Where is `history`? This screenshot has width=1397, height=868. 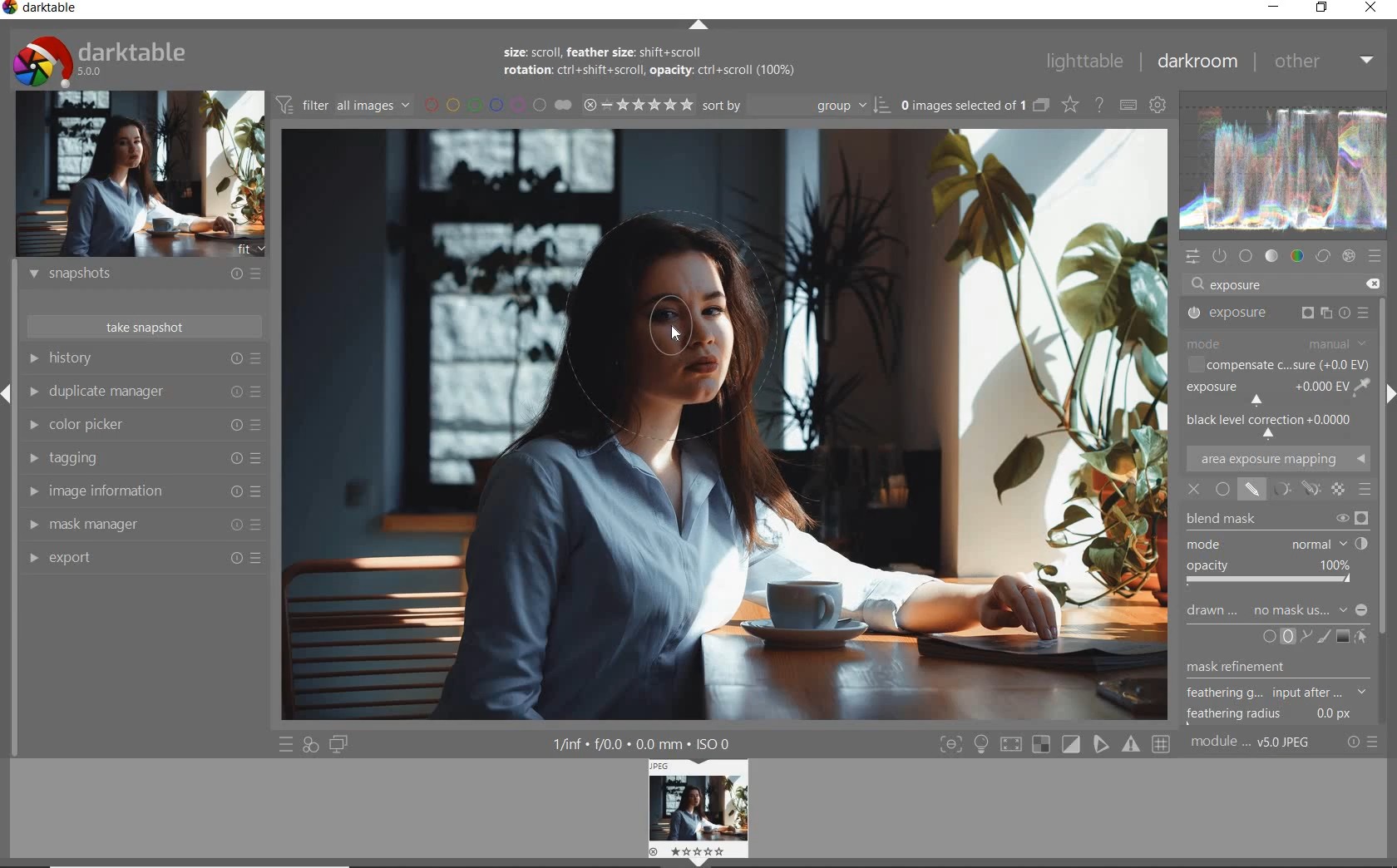
history is located at coordinates (142, 358).